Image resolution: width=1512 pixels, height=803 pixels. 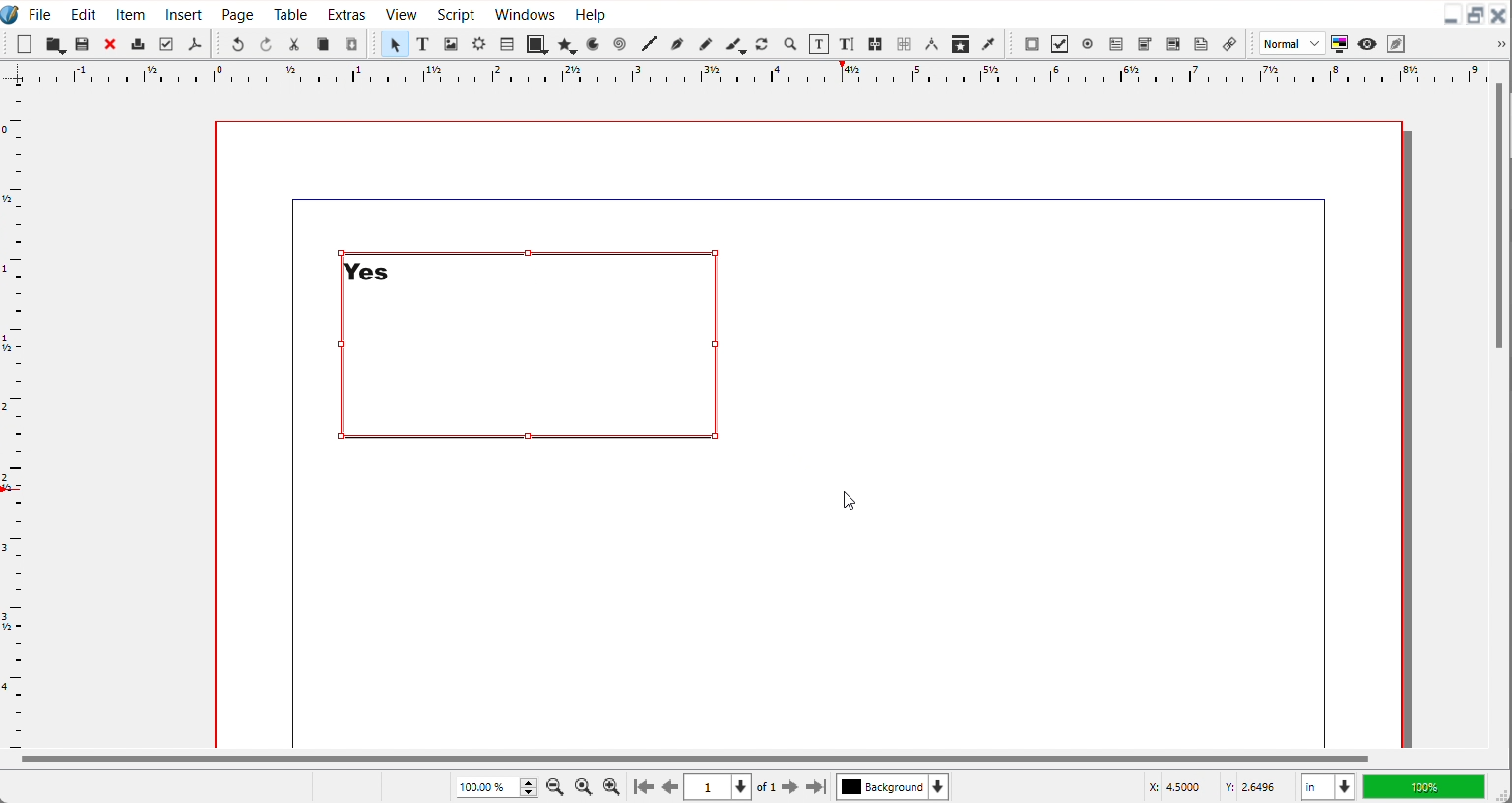 I want to click on Link text frame, so click(x=876, y=45).